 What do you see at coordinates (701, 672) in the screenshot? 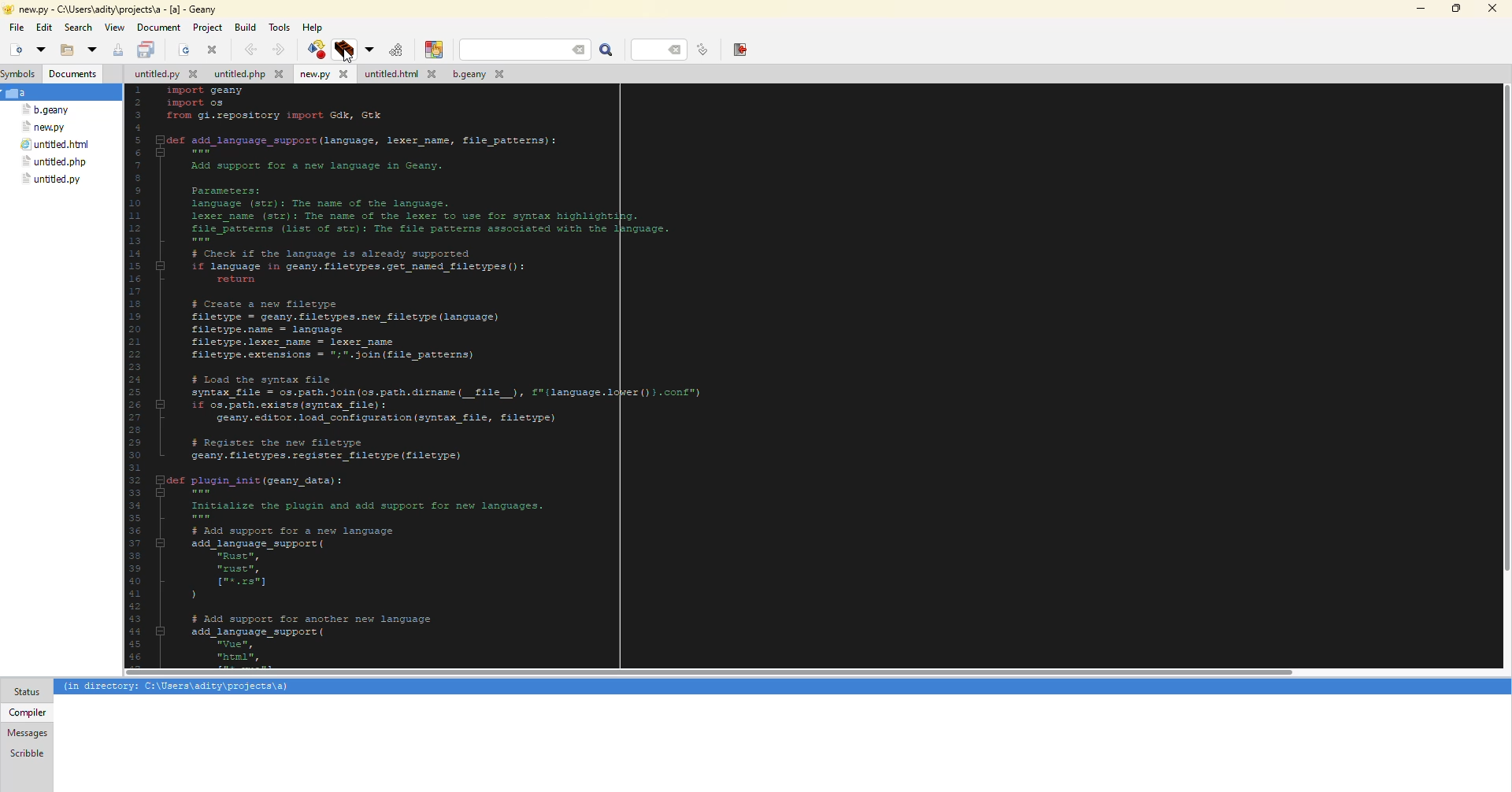
I see `scroll bar` at bounding box center [701, 672].